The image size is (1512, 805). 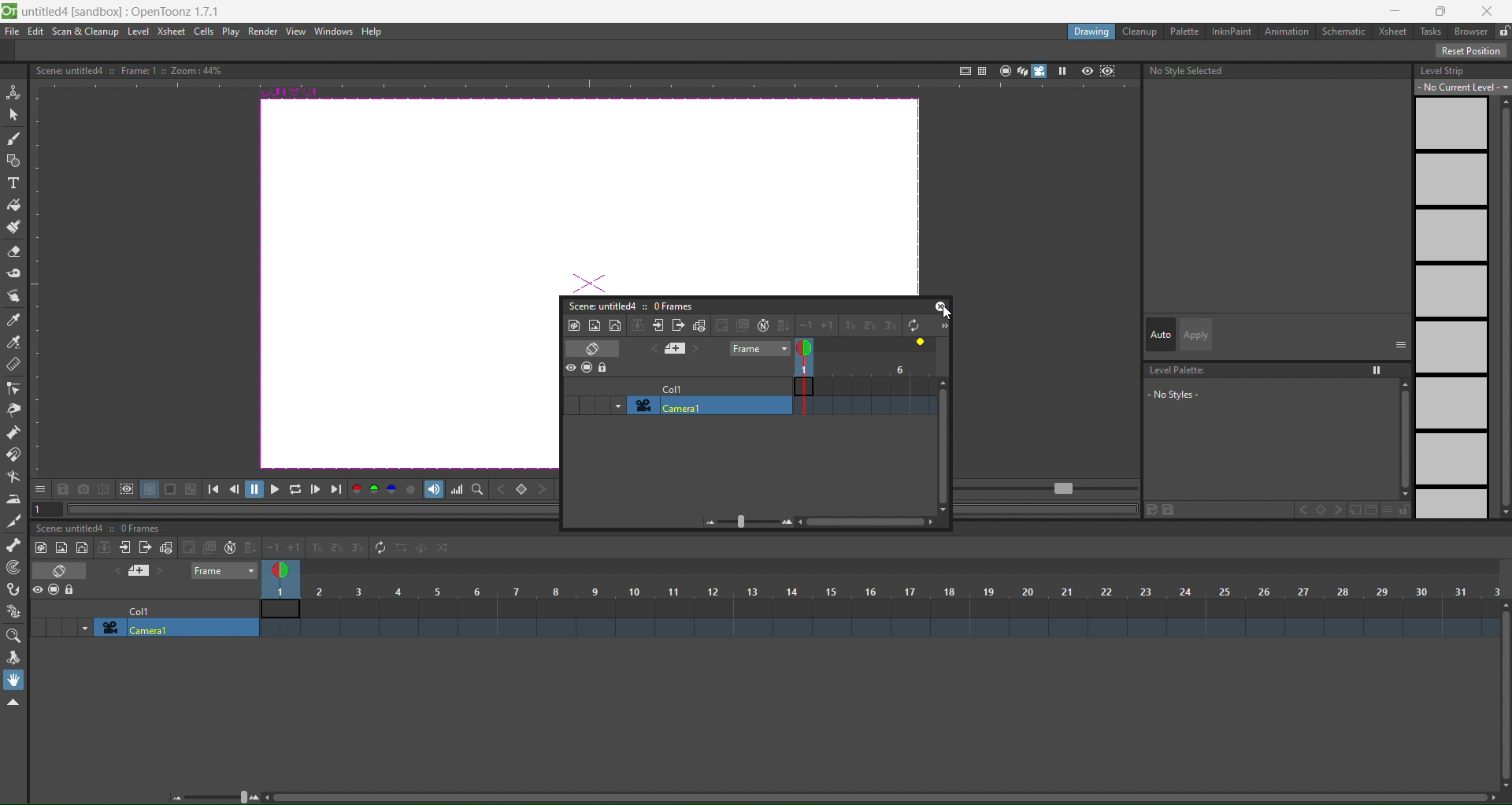 What do you see at coordinates (225, 570) in the screenshot?
I see `frame` at bounding box center [225, 570].